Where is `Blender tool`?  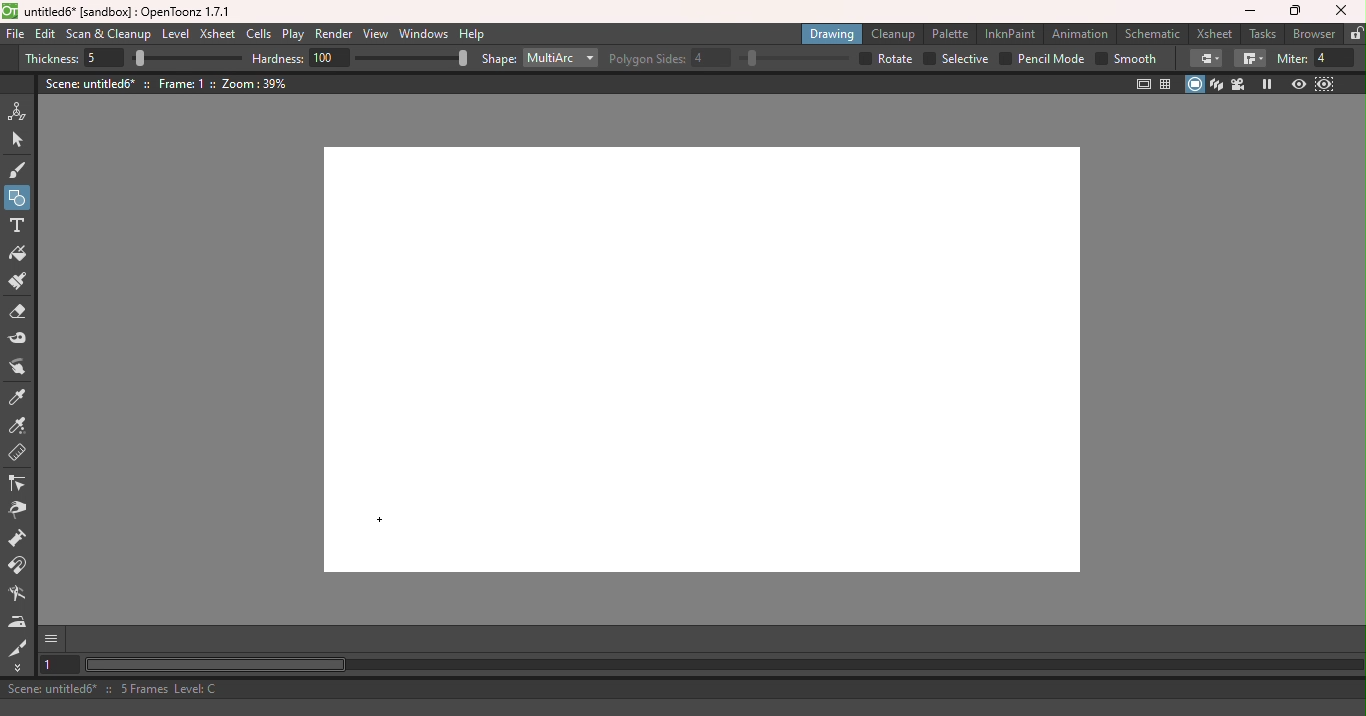 Blender tool is located at coordinates (17, 595).